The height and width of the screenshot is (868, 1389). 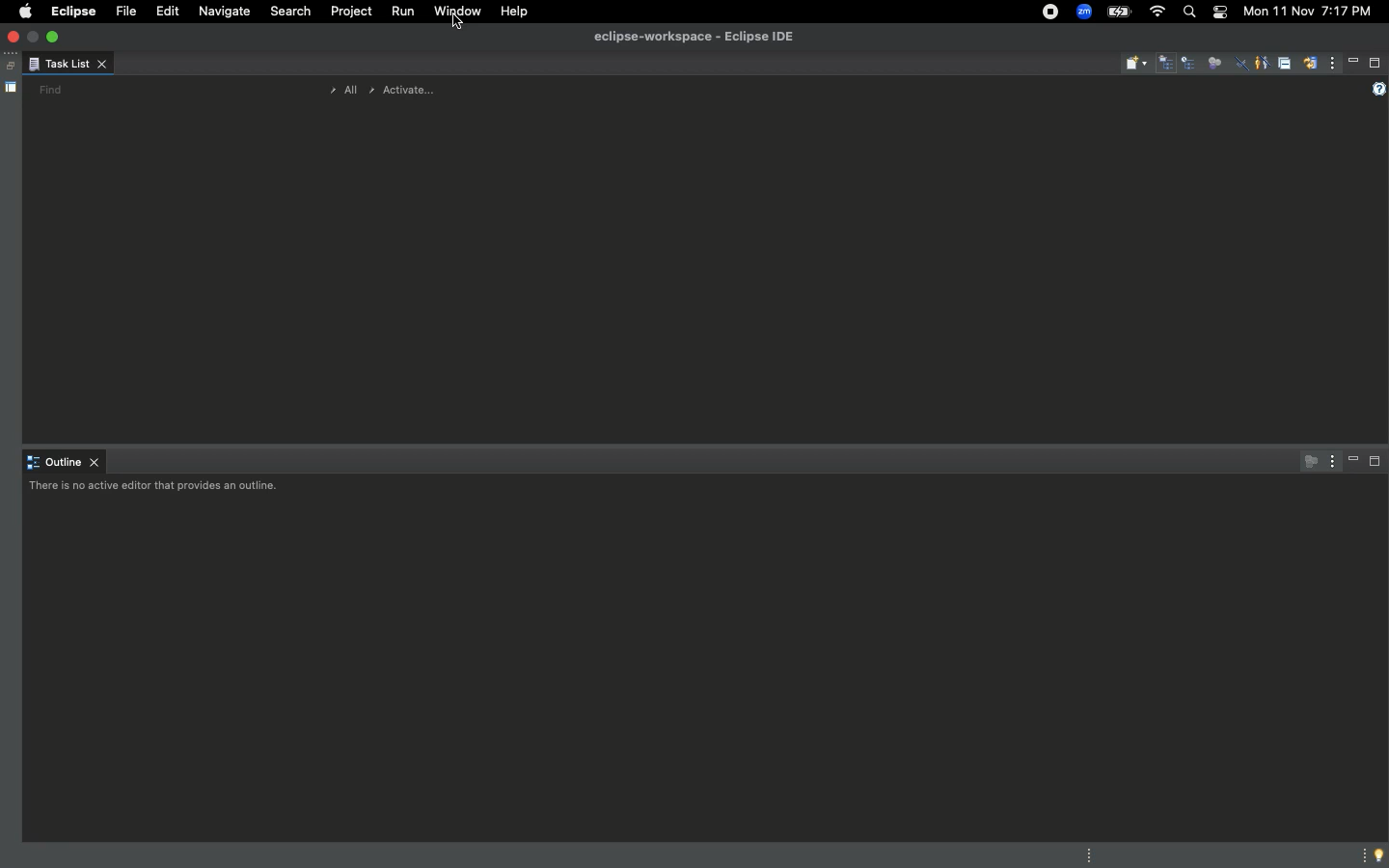 What do you see at coordinates (225, 14) in the screenshot?
I see `Navigate` at bounding box center [225, 14].